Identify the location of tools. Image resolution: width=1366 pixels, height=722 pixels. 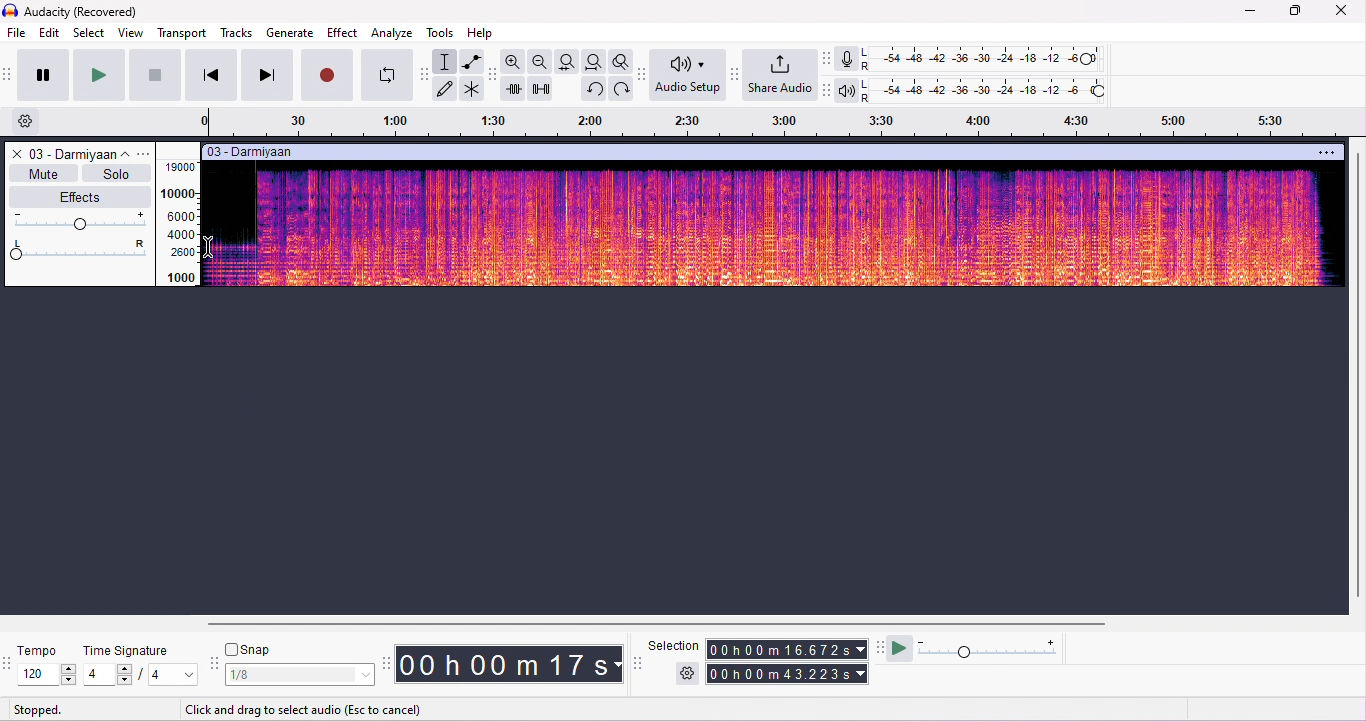
(439, 32).